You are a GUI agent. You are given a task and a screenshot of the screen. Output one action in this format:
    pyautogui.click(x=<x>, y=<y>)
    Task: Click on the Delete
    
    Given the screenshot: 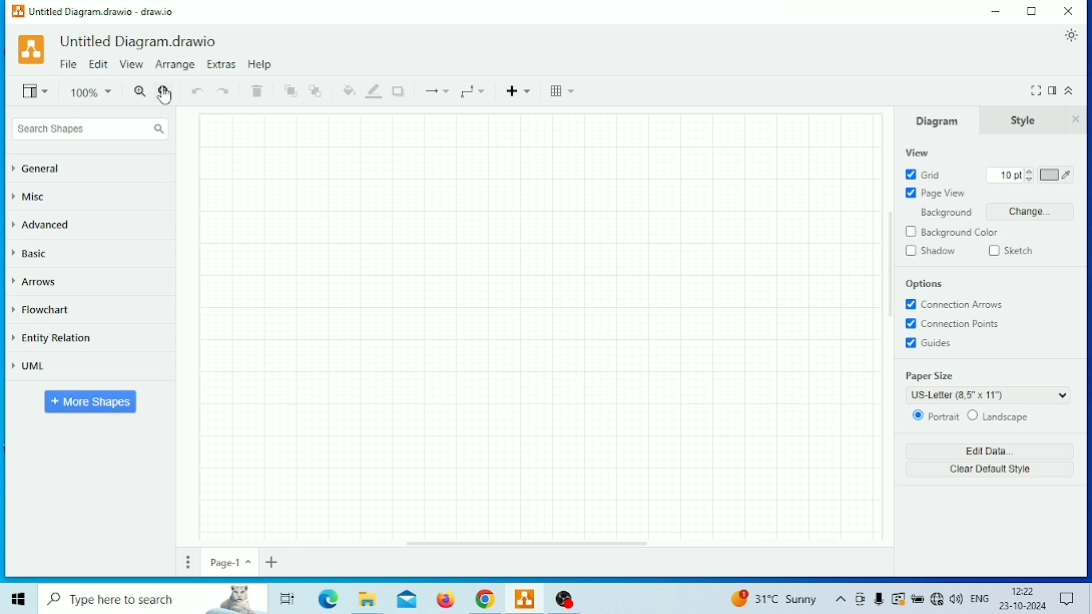 What is the action you would take?
    pyautogui.click(x=257, y=91)
    